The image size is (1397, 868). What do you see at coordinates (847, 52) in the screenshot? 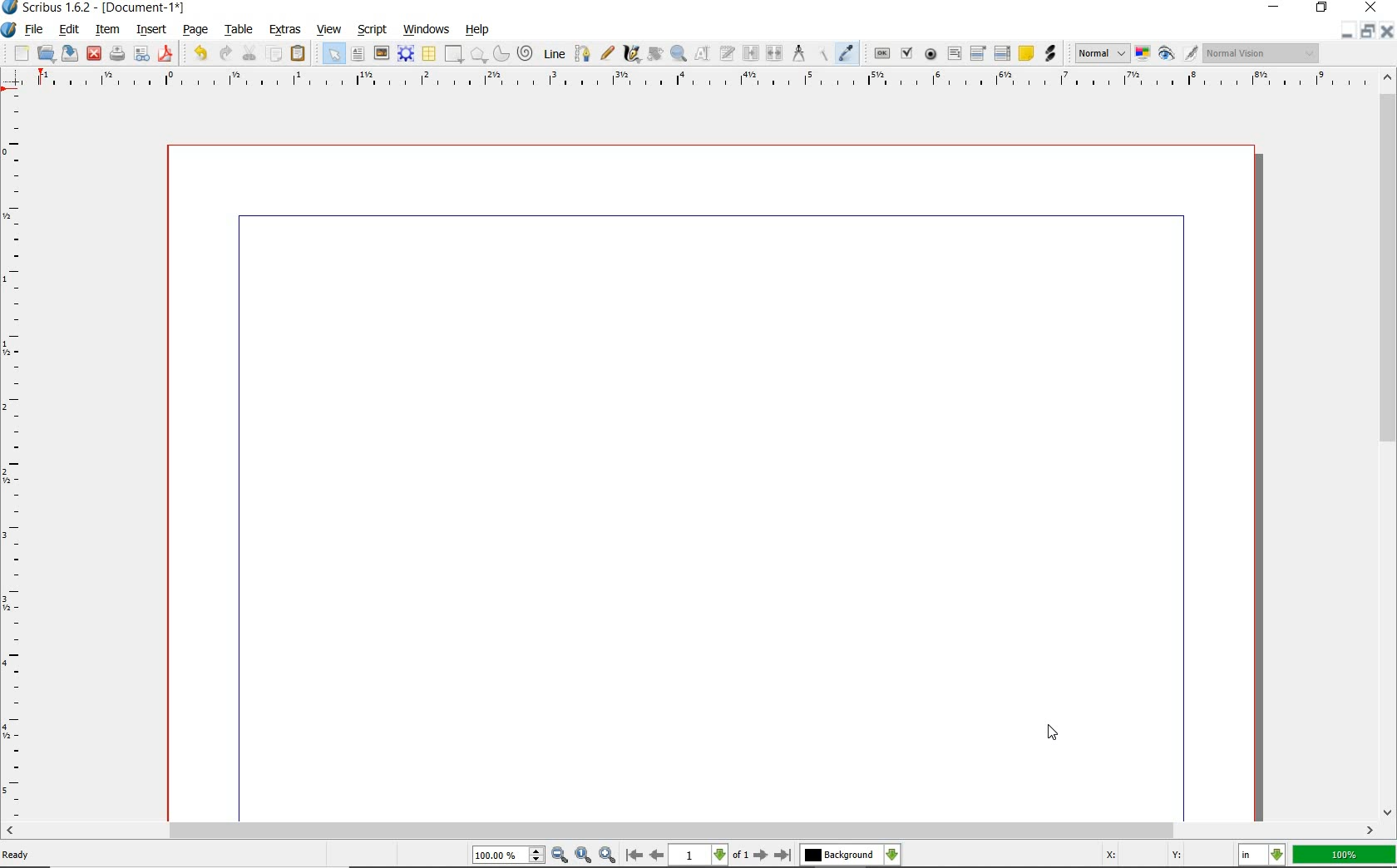
I see `eye dropper` at bounding box center [847, 52].